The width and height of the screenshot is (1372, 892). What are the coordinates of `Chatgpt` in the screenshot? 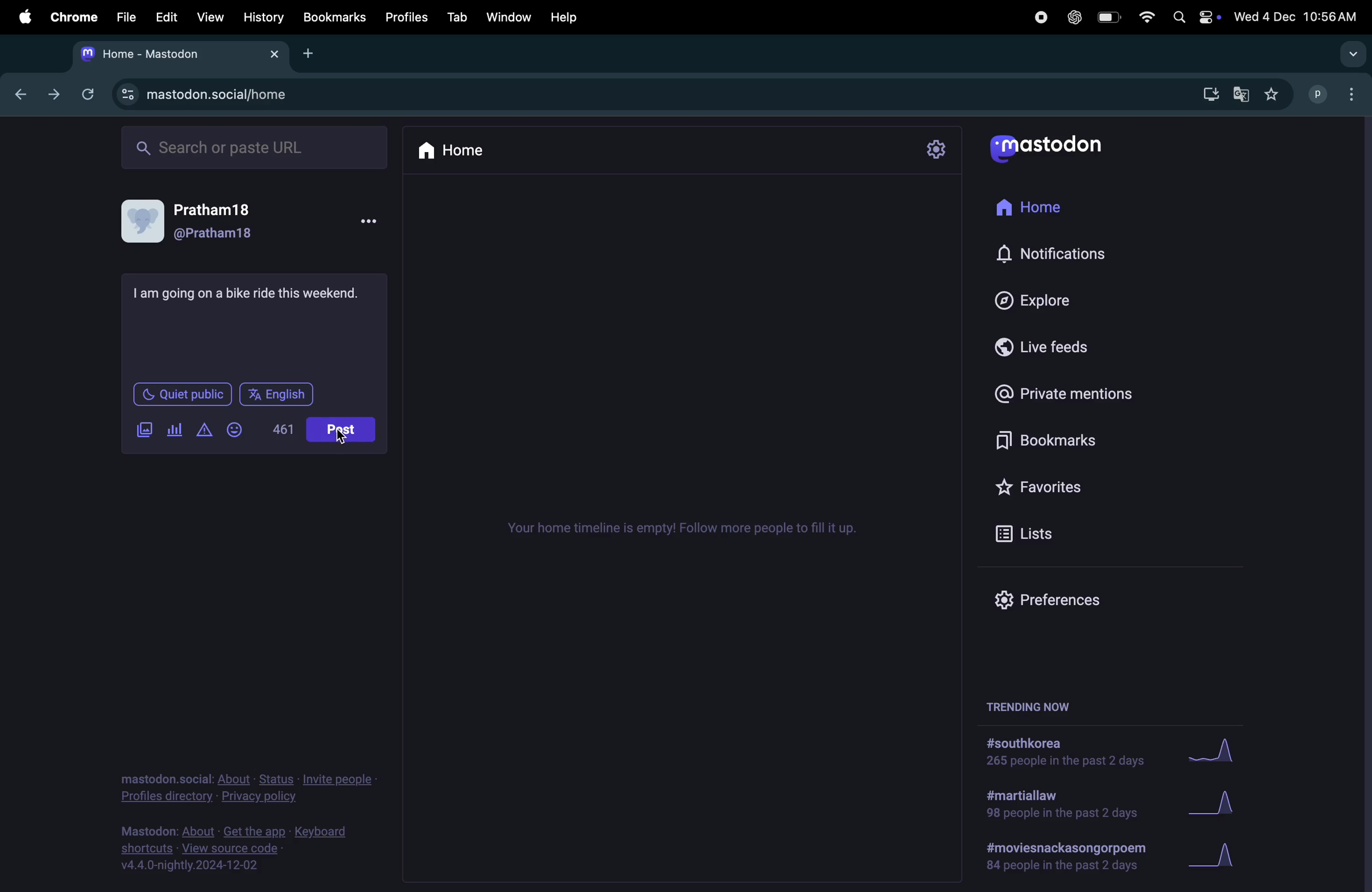 It's located at (1072, 17).